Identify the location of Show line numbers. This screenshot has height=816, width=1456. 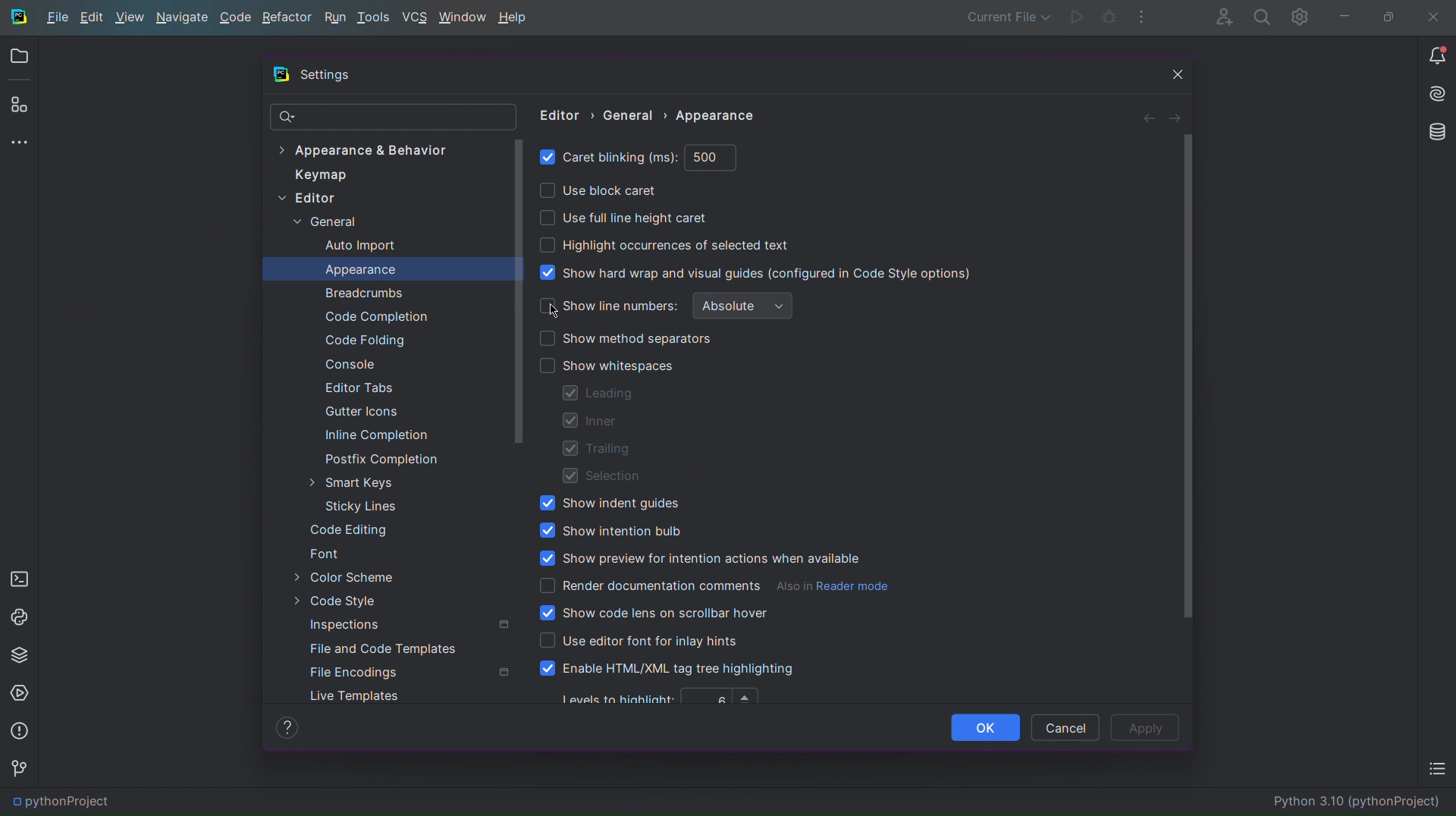
(607, 306).